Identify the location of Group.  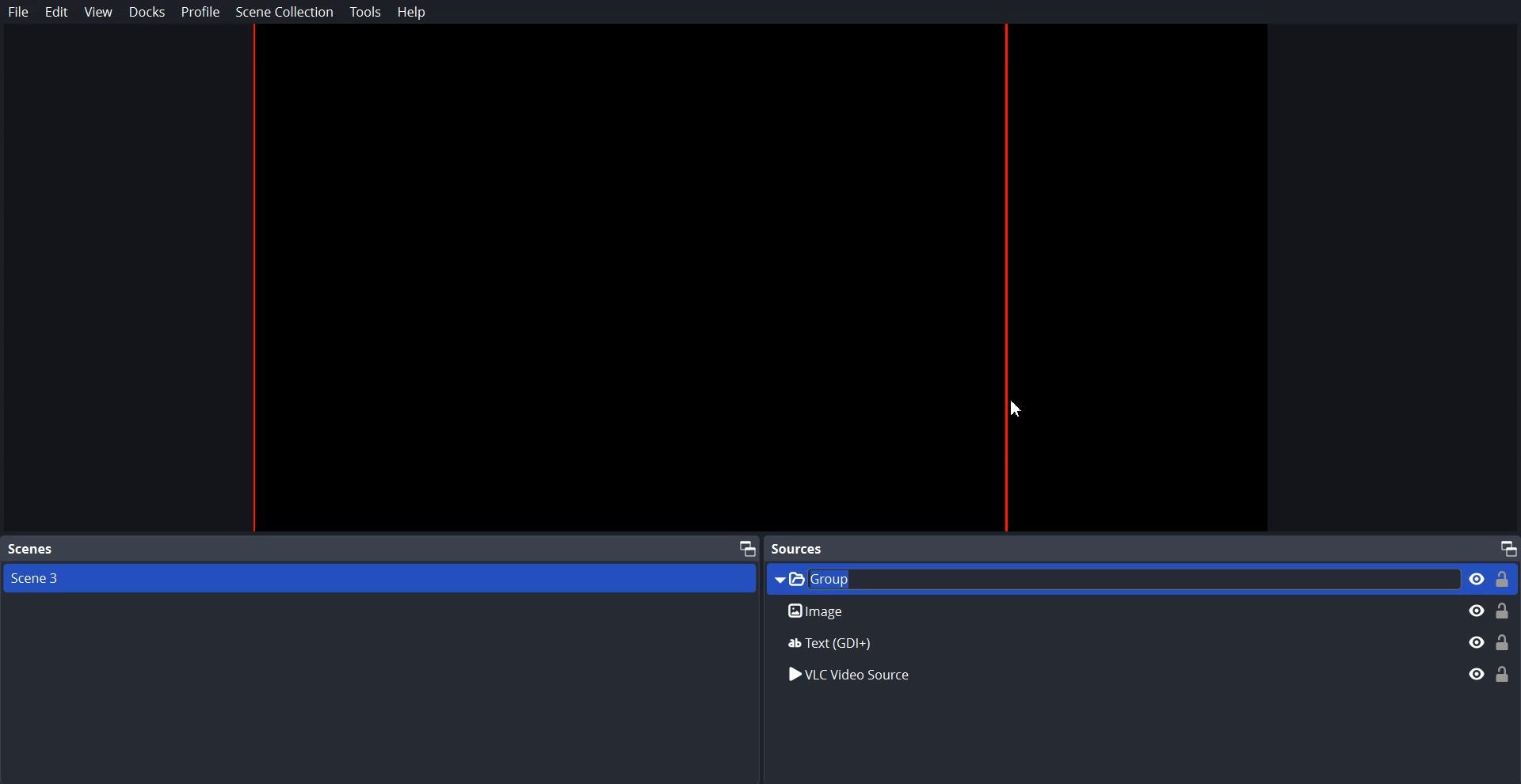
(1142, 578).